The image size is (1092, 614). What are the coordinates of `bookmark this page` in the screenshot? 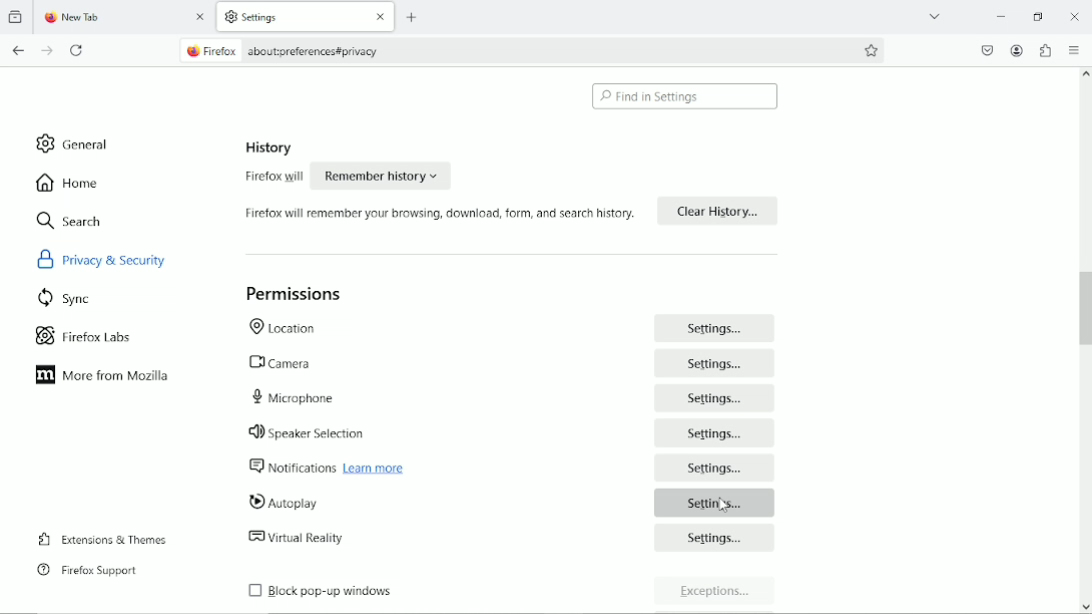 It's located at (872, 50).